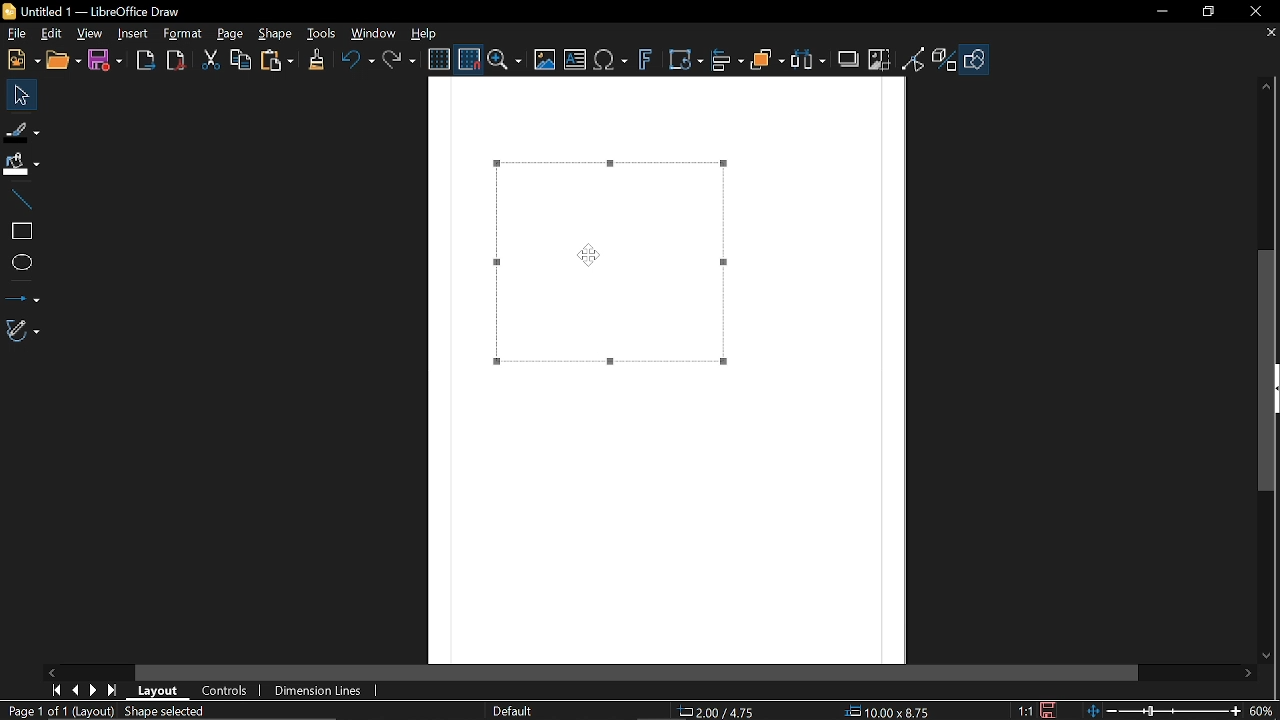 The height and width of the screenshot is (720, 1280). Describe the element at coordinates (134, 35) in the screenshot. I see `Insert` at that location.